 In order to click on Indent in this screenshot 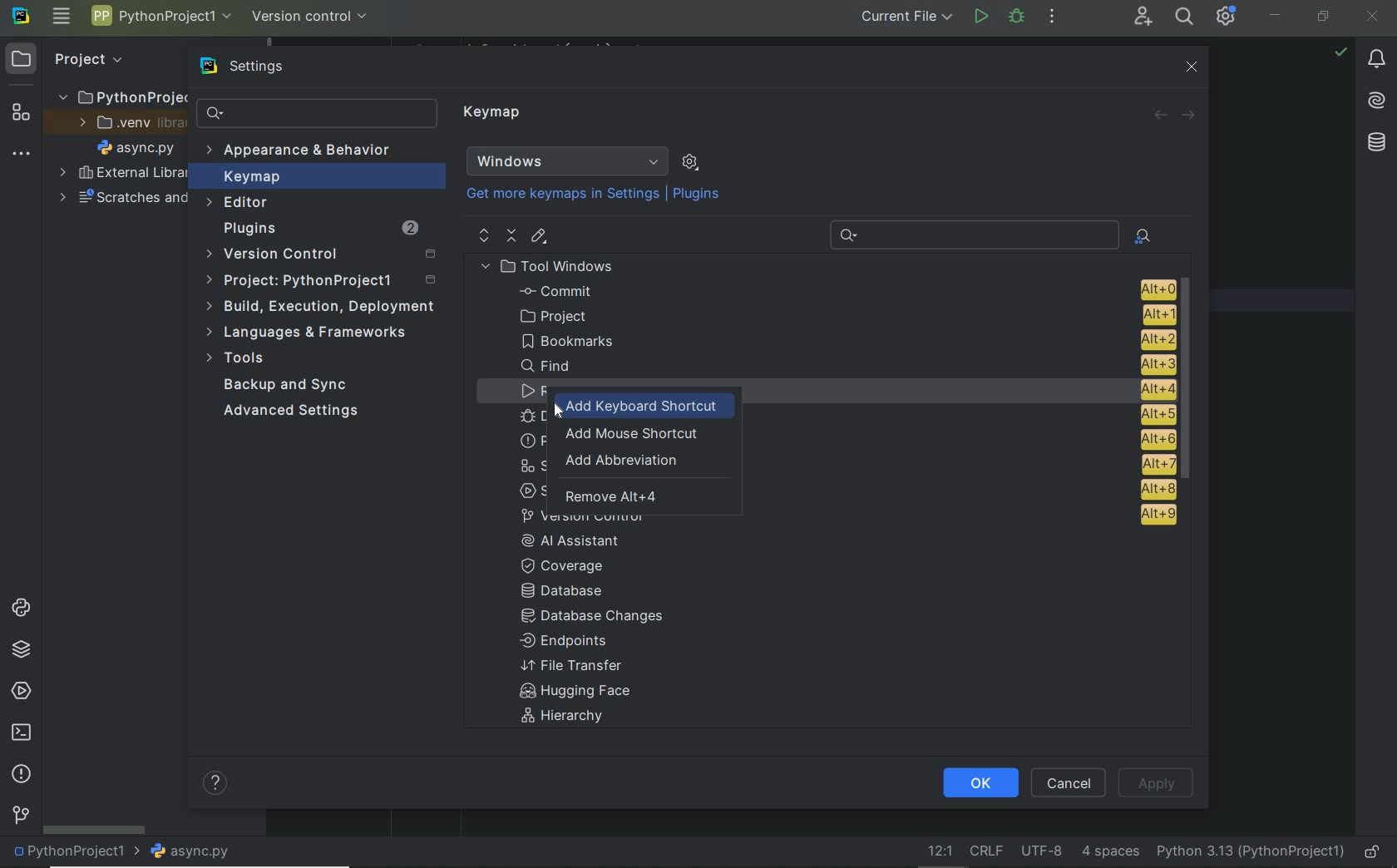, I will do `click(1110, 853)`.